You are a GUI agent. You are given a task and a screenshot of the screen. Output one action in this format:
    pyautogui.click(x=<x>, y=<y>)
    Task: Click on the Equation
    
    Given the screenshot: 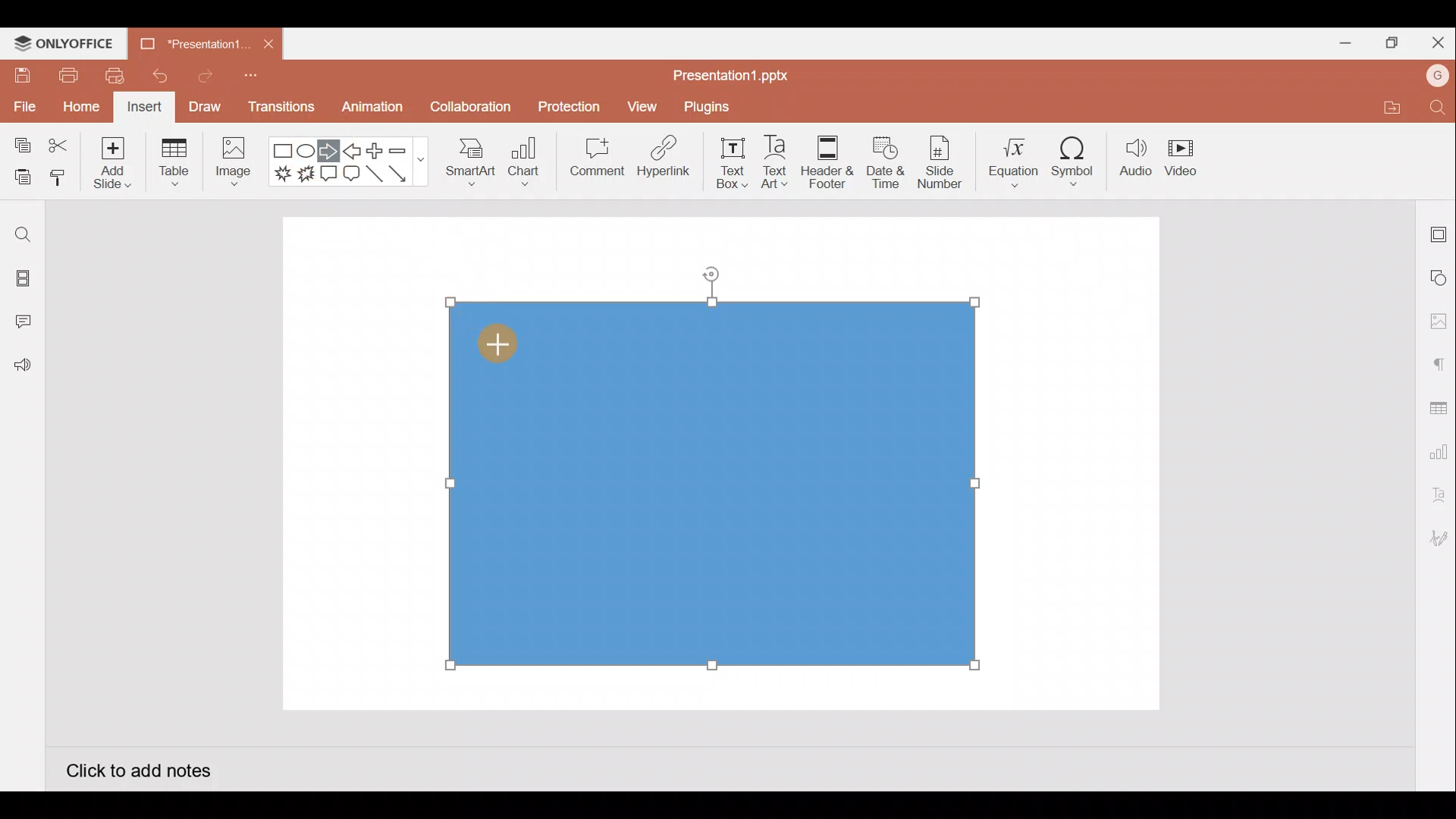 What is the action you would take?
    pyautogui.click(x=1015, y=157)
    